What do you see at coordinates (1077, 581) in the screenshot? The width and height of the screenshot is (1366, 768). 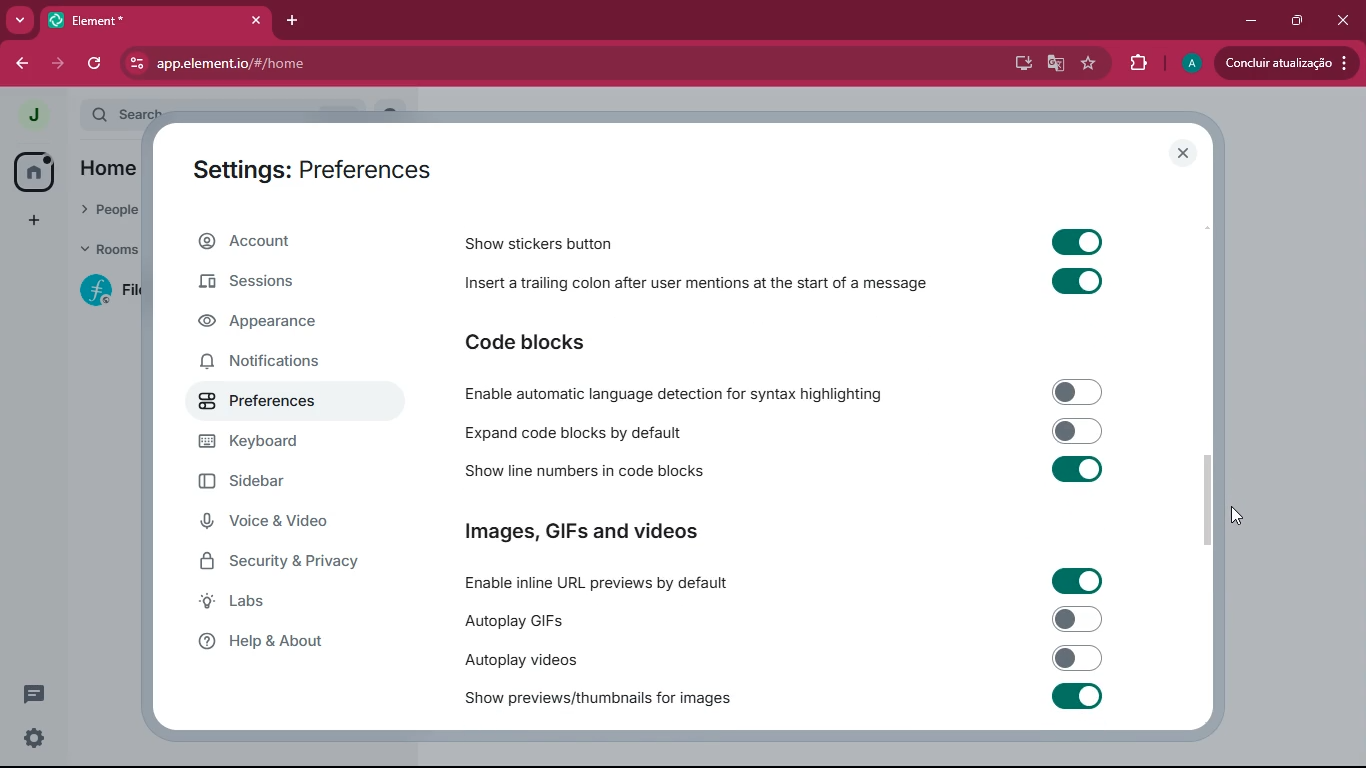 I see `` at bounding box center [1077, 581].